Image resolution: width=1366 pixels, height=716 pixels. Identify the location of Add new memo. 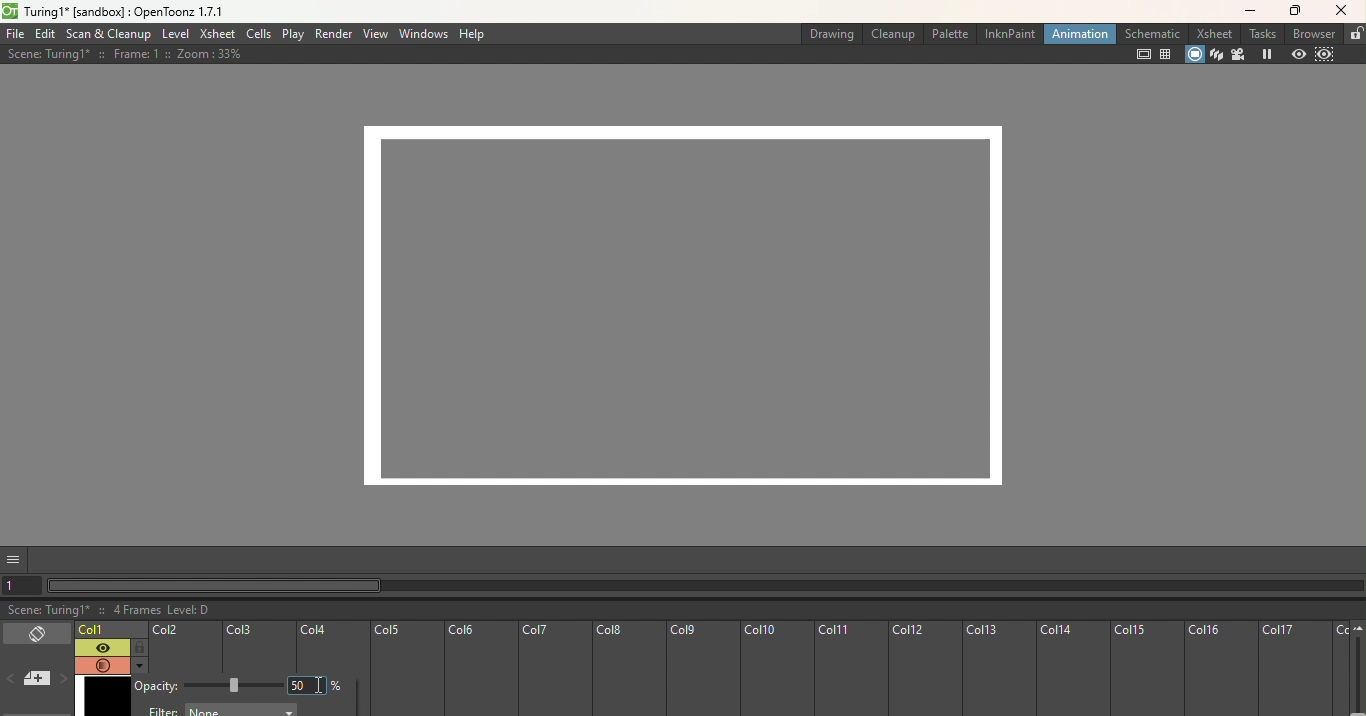
(36, 680).